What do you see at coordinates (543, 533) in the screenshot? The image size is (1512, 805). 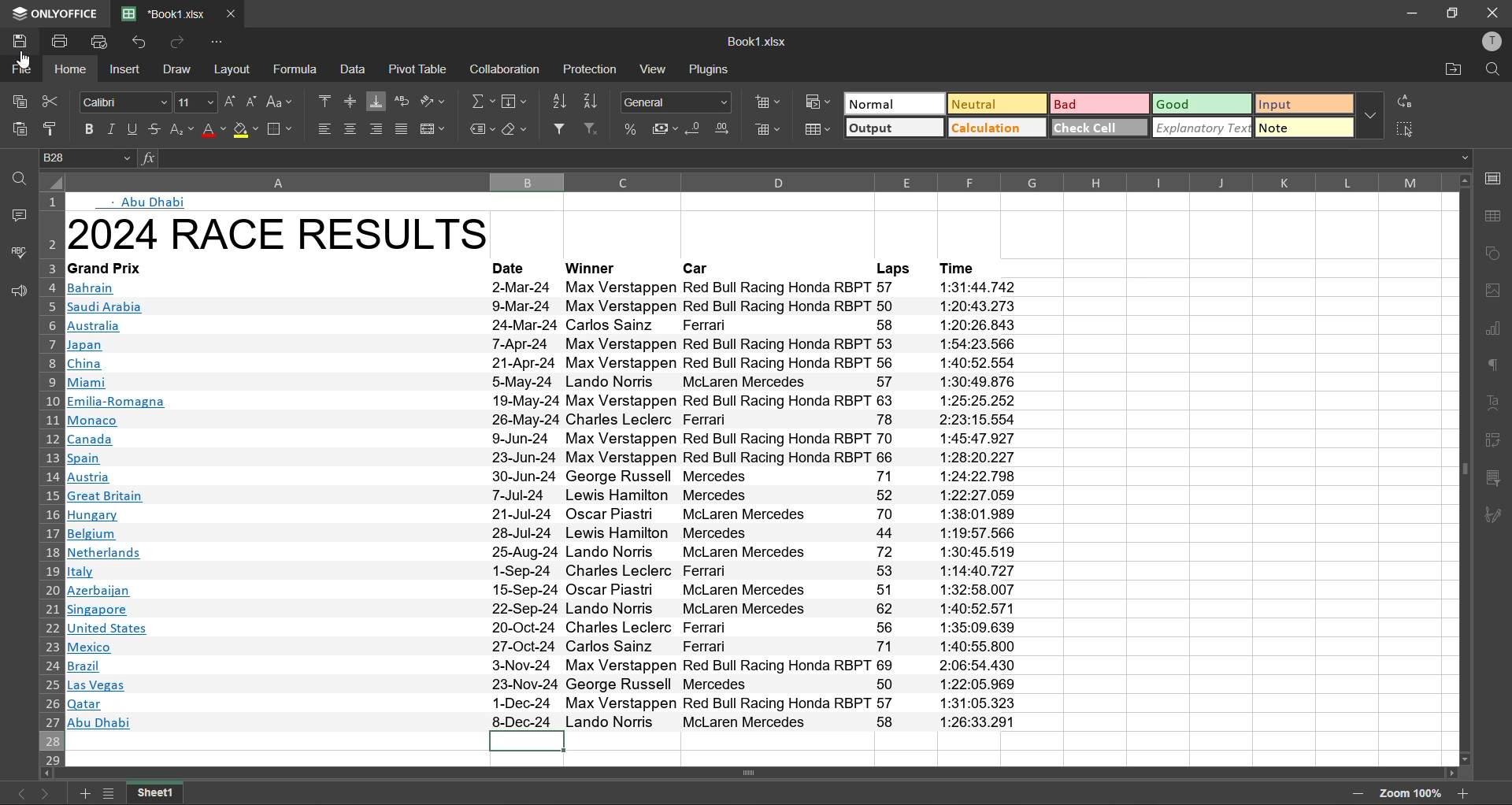 I see `ill Belgium 28-Jul-24 Lewis Hamilton Mercedes 44 1:19:57.566` at bounding box center [543, 533].